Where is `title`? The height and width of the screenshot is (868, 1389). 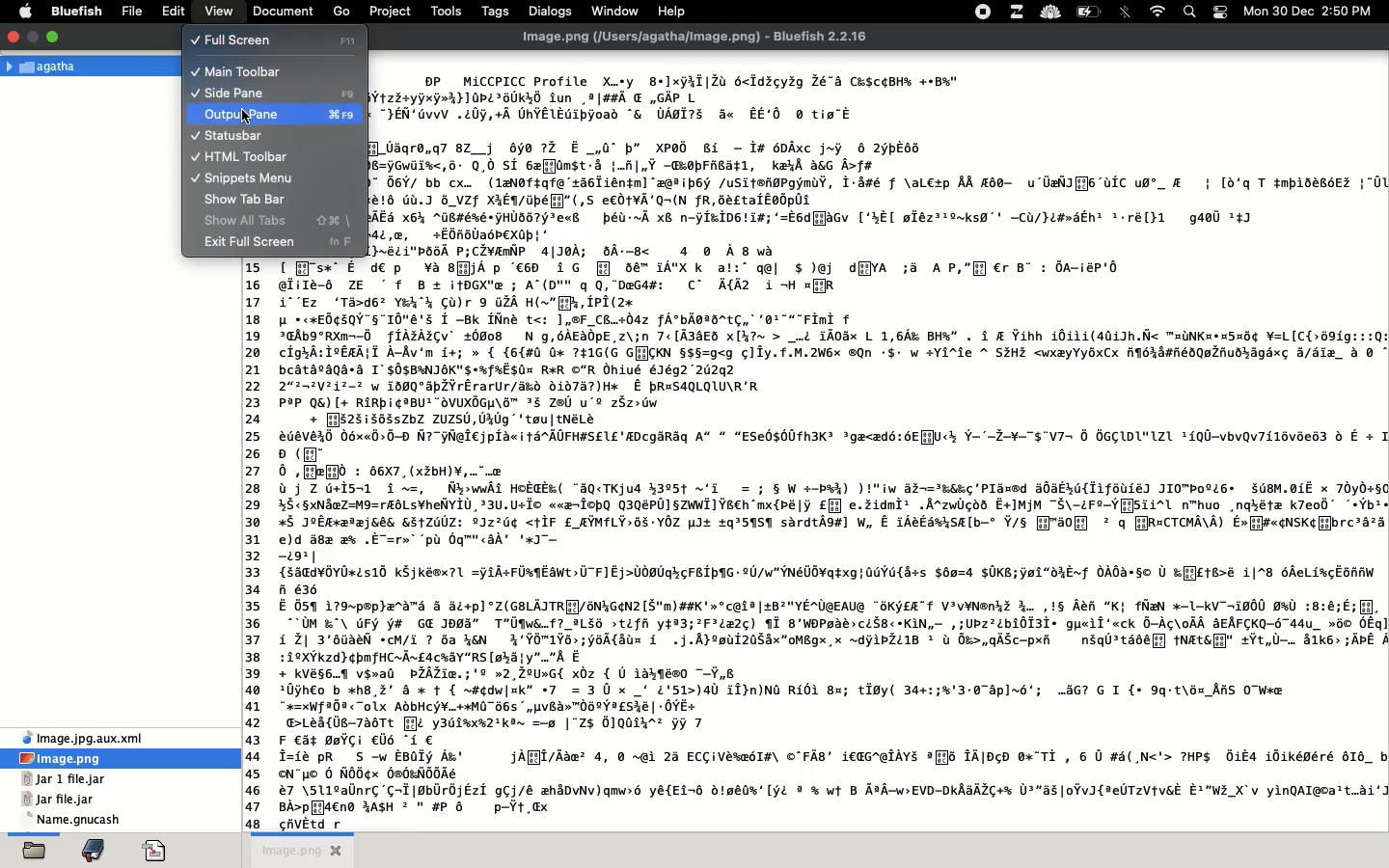 title is located at coordinates (700, 39).